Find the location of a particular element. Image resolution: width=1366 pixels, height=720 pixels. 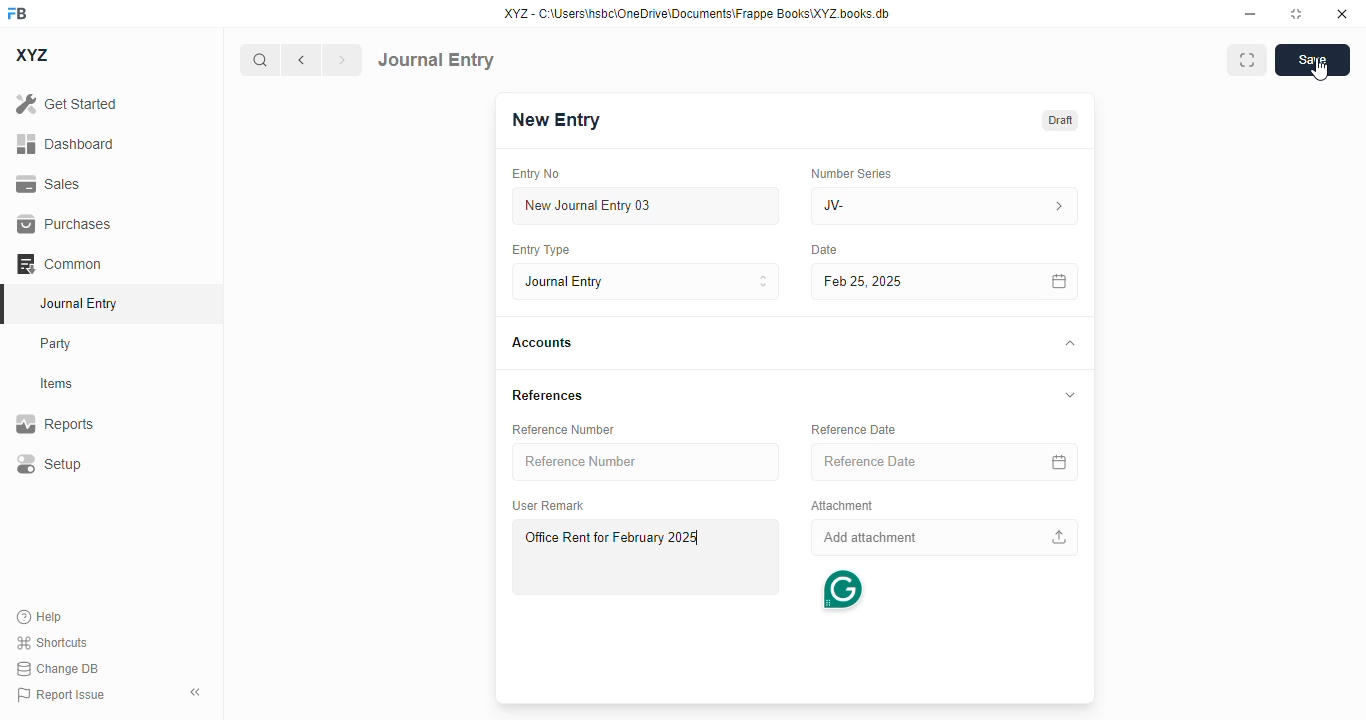

common is located at coordinates (59, 264).